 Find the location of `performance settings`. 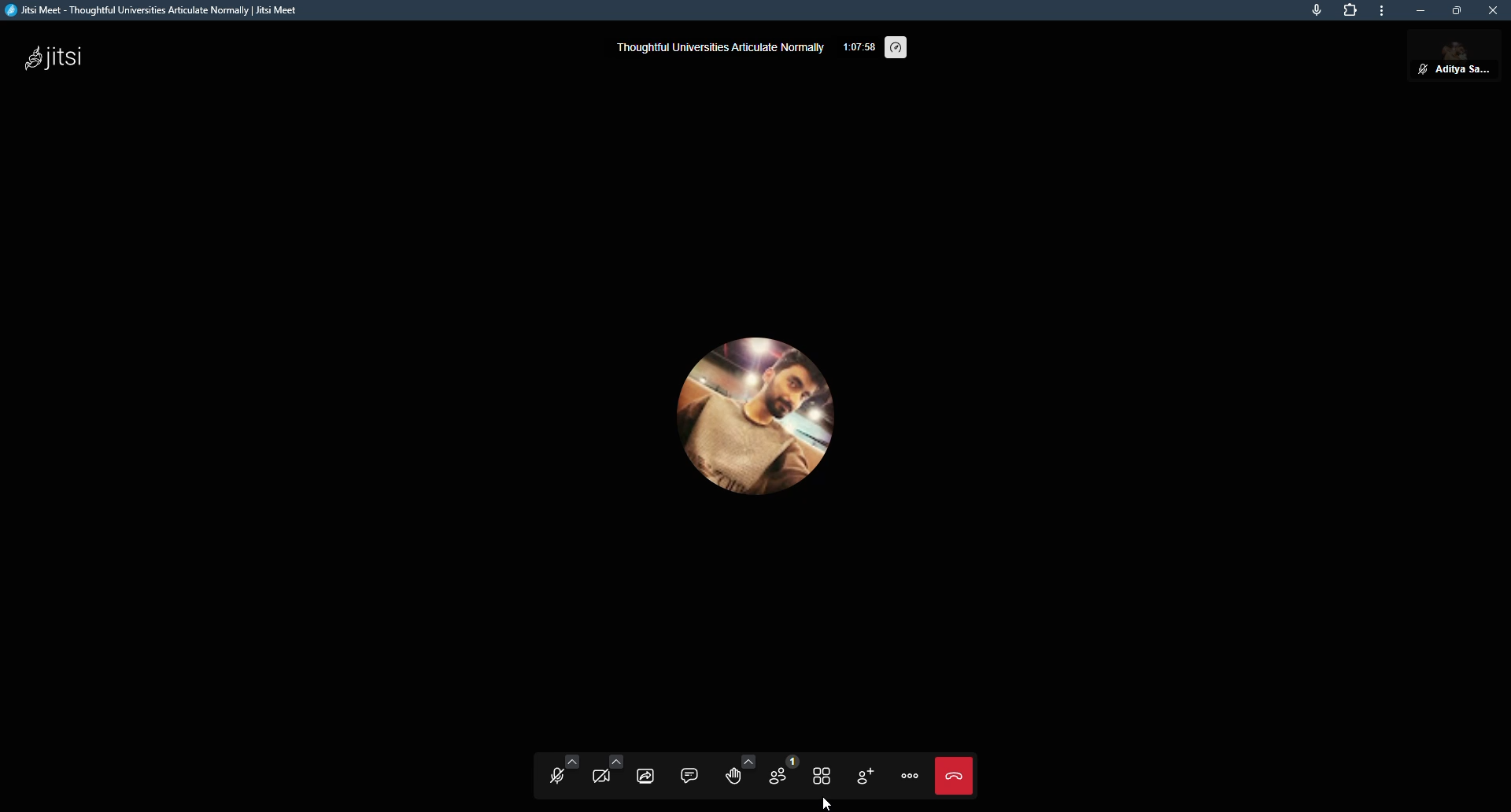

performance settings is located at coordinates (900, 45).